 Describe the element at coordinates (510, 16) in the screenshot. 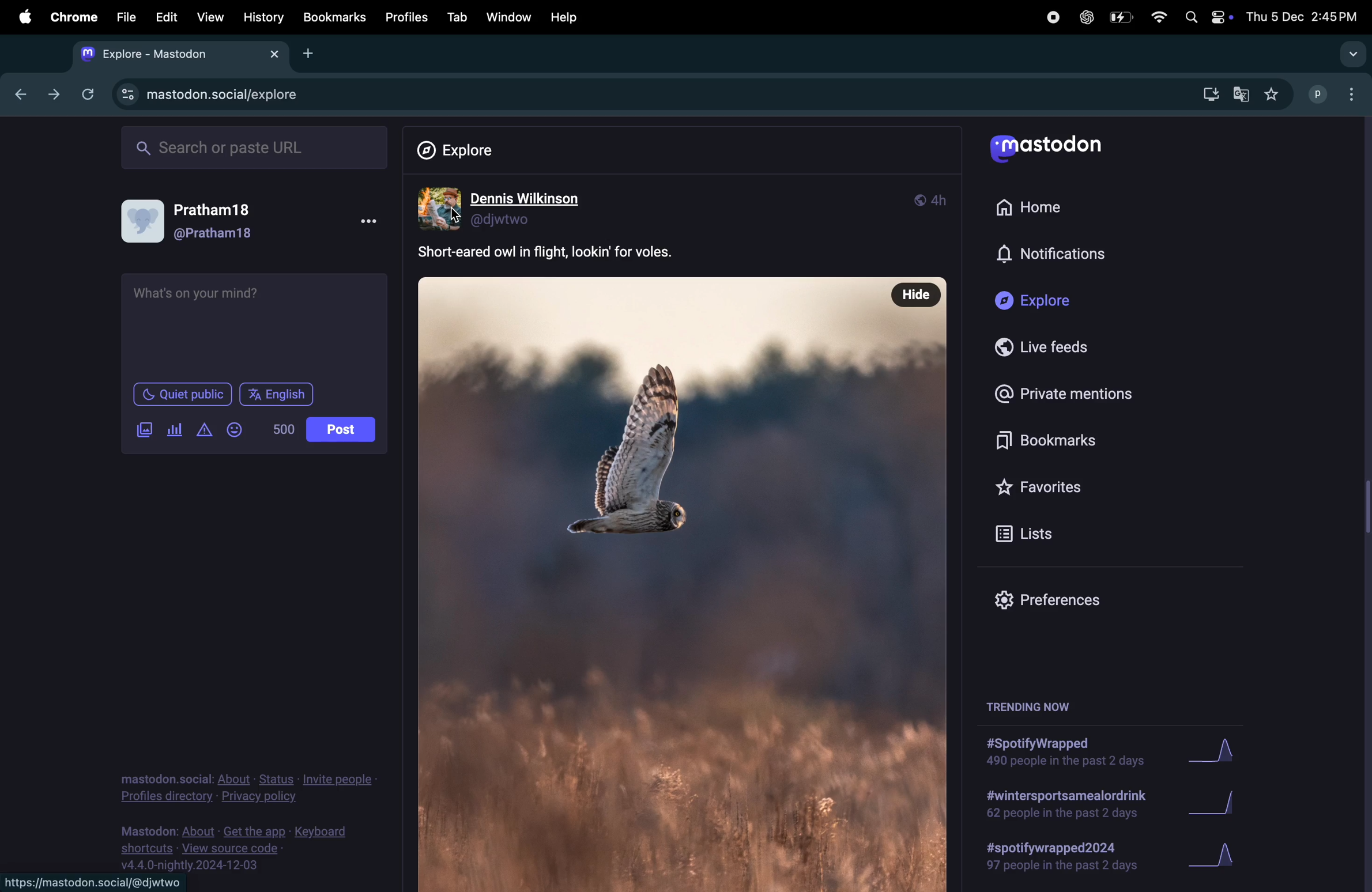

I see `window` at that location.